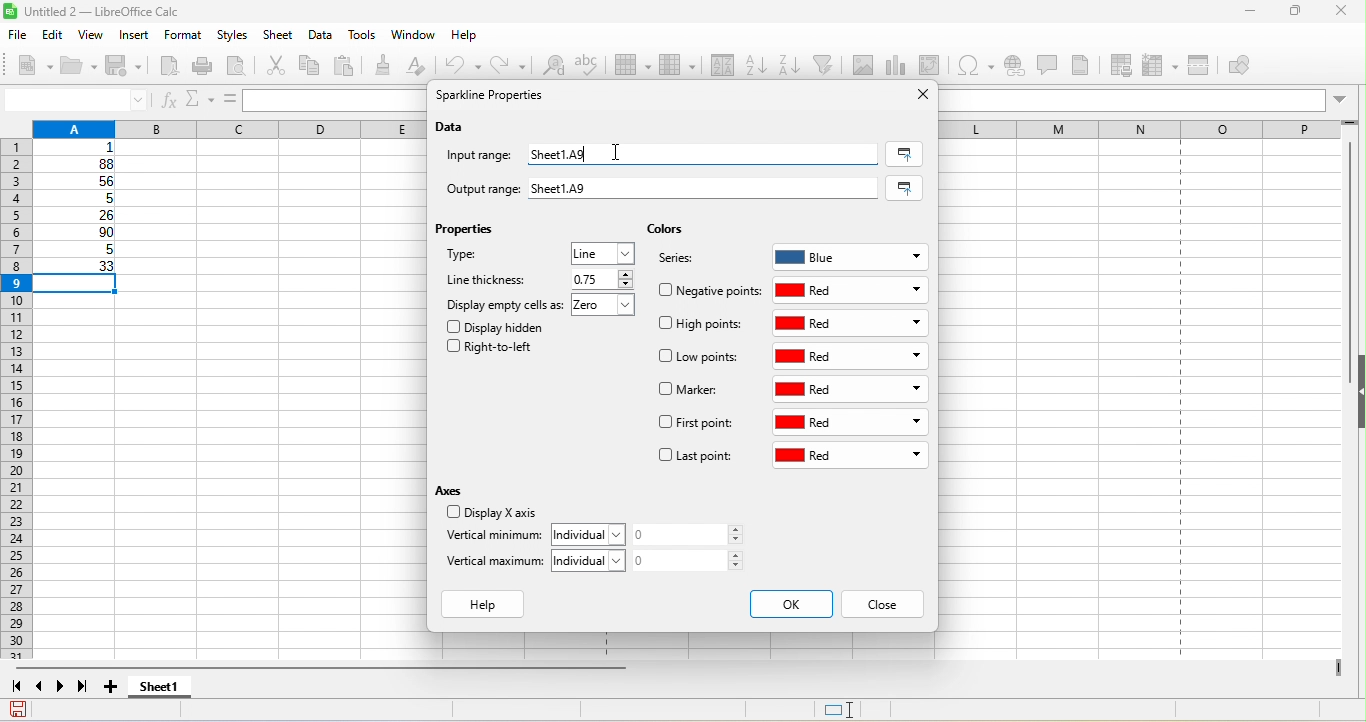 Image resolution: width=1366 pixels, height=722 pixels. What do you see at coordinates (759, 63) in the screenshot?
I see `sort ascending` at bounding box center [759, 63].